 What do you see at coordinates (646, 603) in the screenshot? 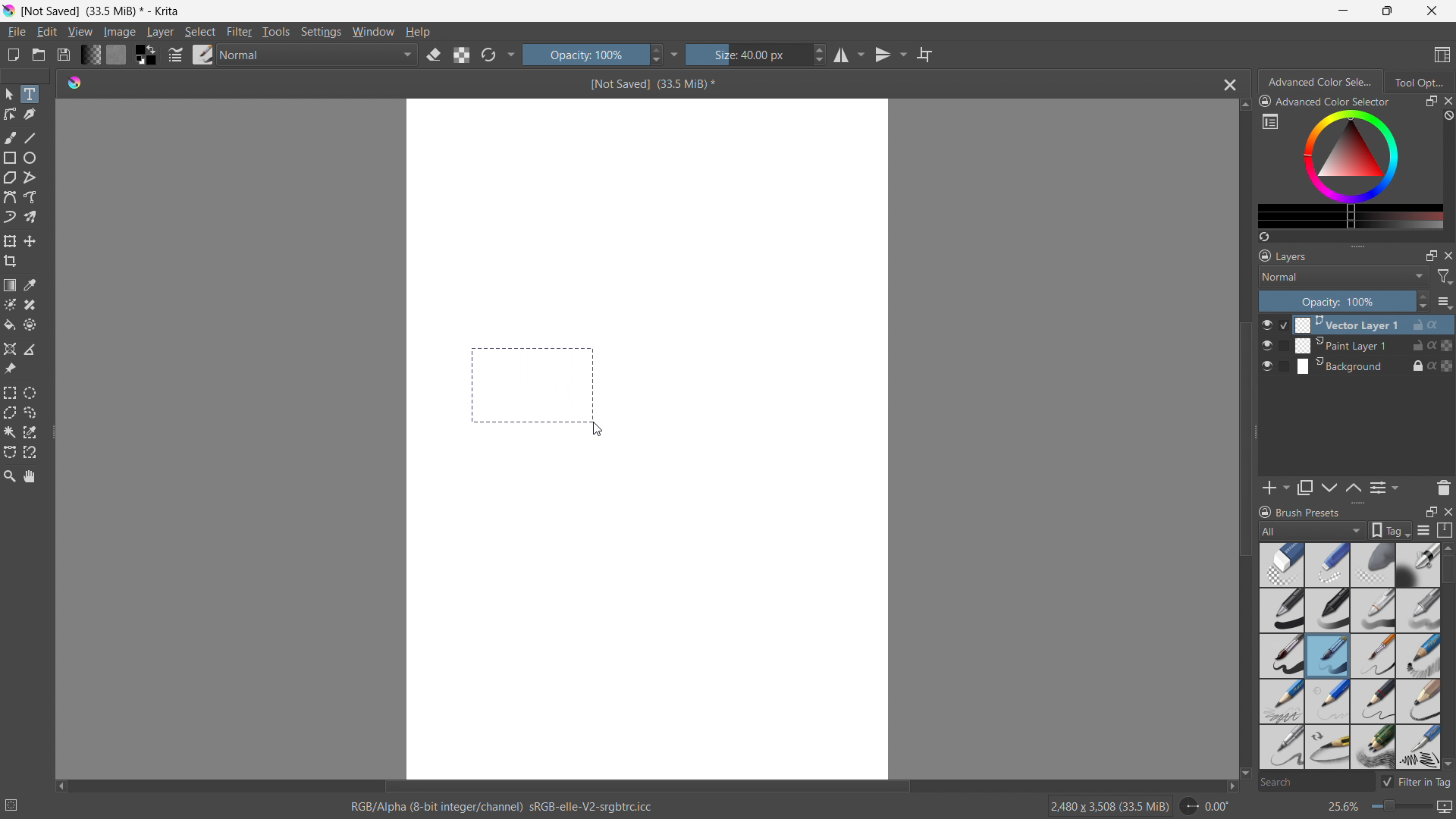
I see `canvas` at bounding box center [646, 603].